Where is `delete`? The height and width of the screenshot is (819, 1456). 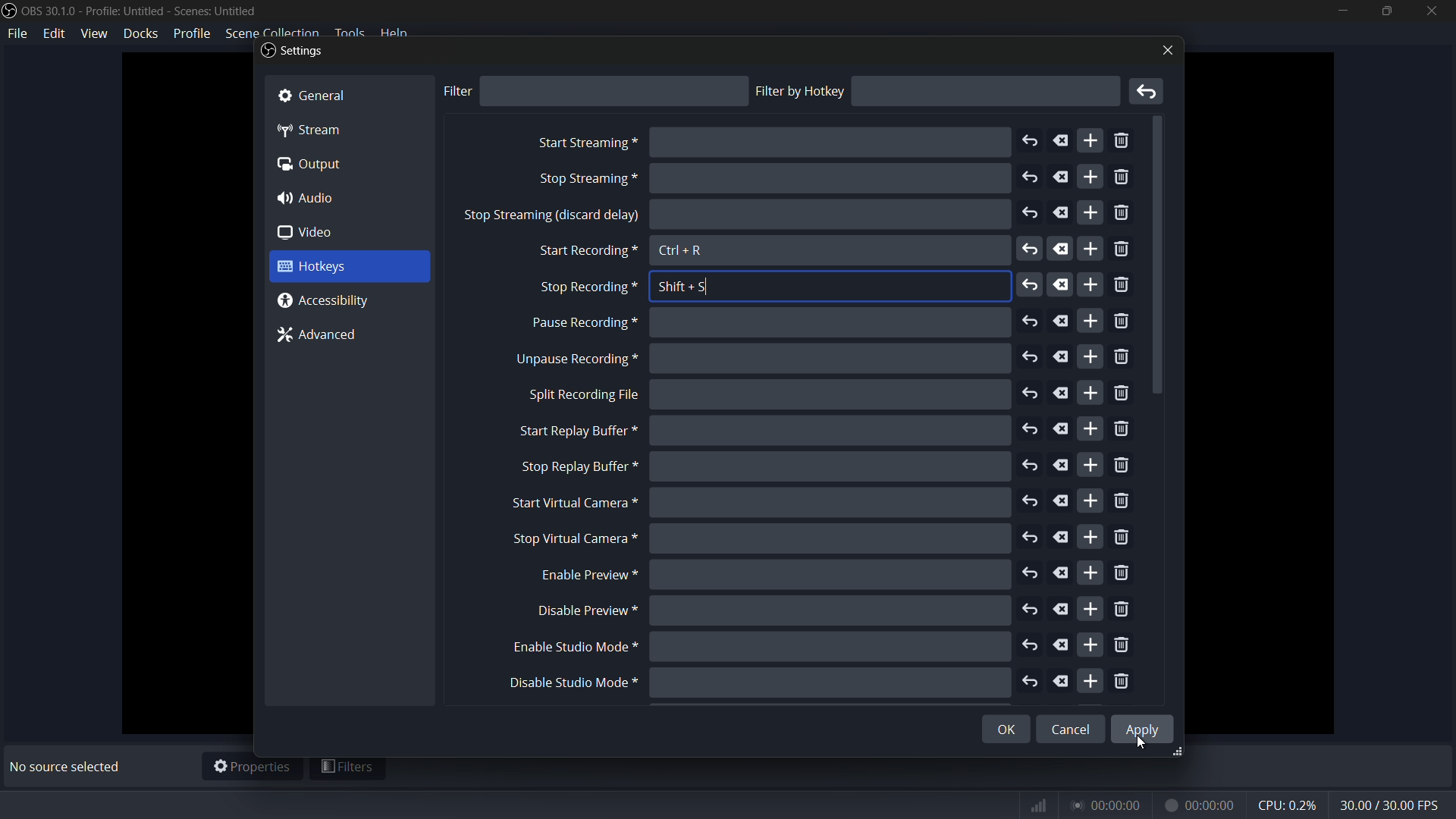
delete is located at coordinates (1062, 215).